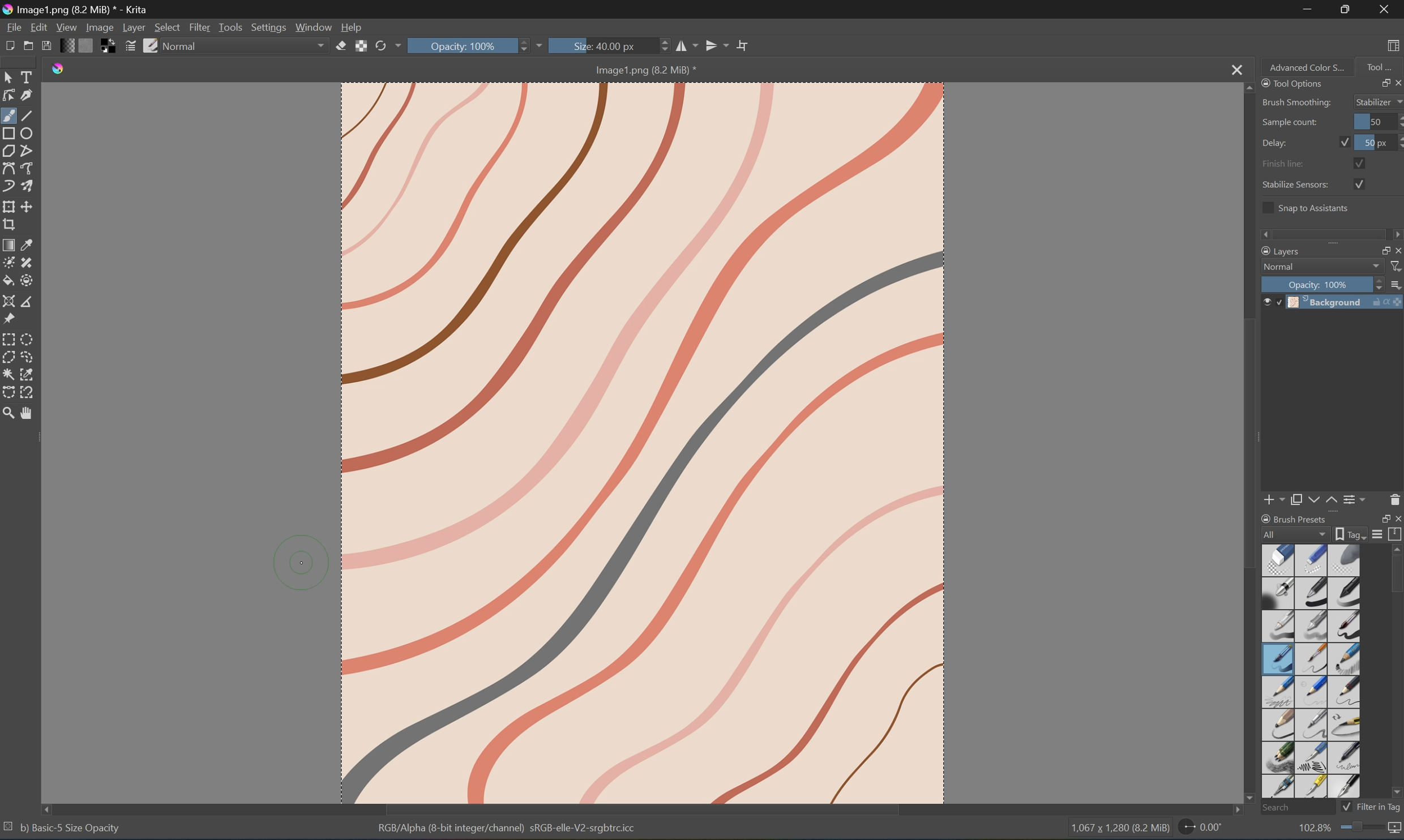 The width and height of the screenshot is (1404, 840). Describe the element at coordinates (1275, 499) in the screenshot. I see `Add new layer` at that location.